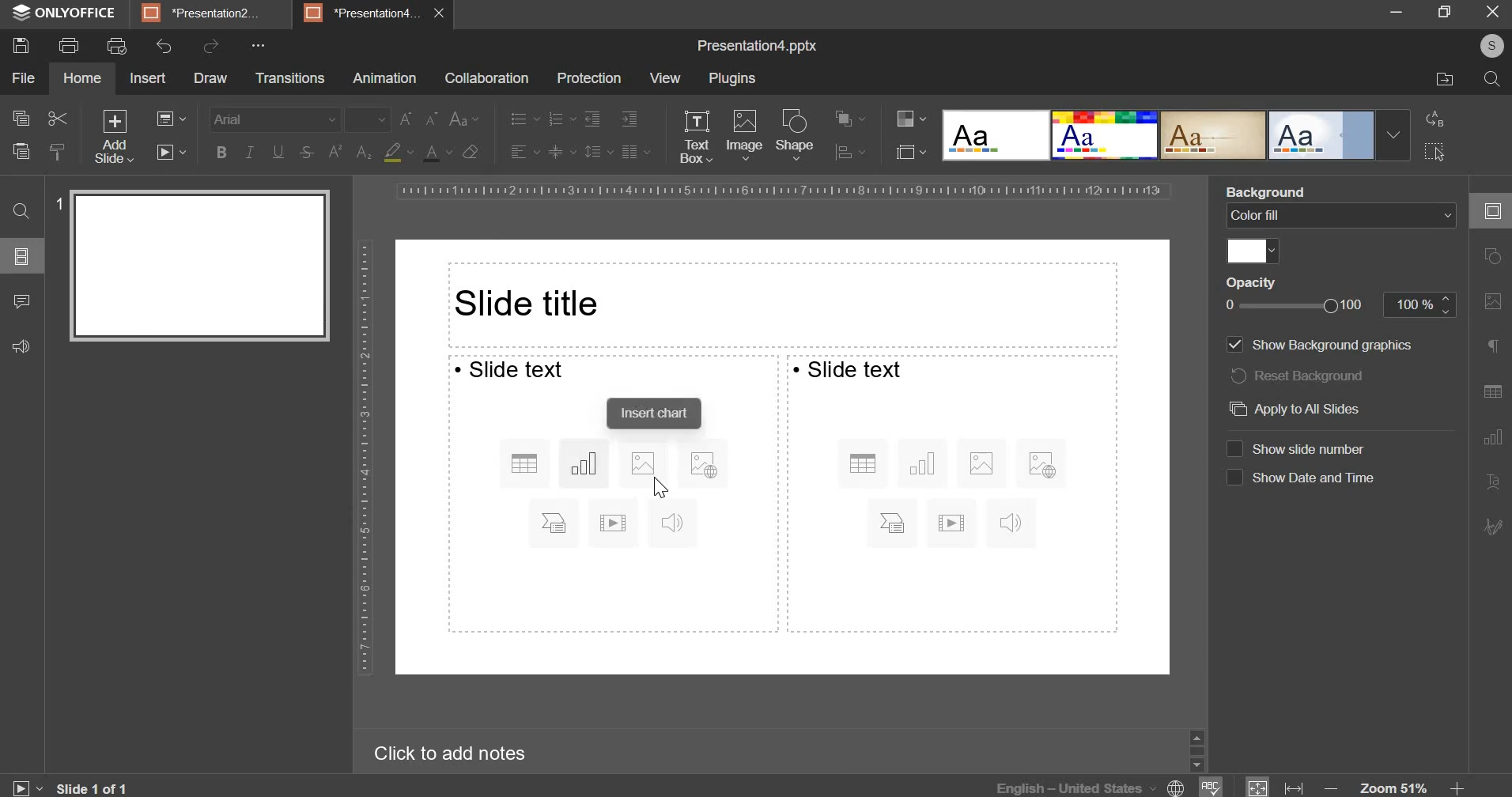 This screenshot has width=1512, height=797. I want to click on design, so click(1106, 136).